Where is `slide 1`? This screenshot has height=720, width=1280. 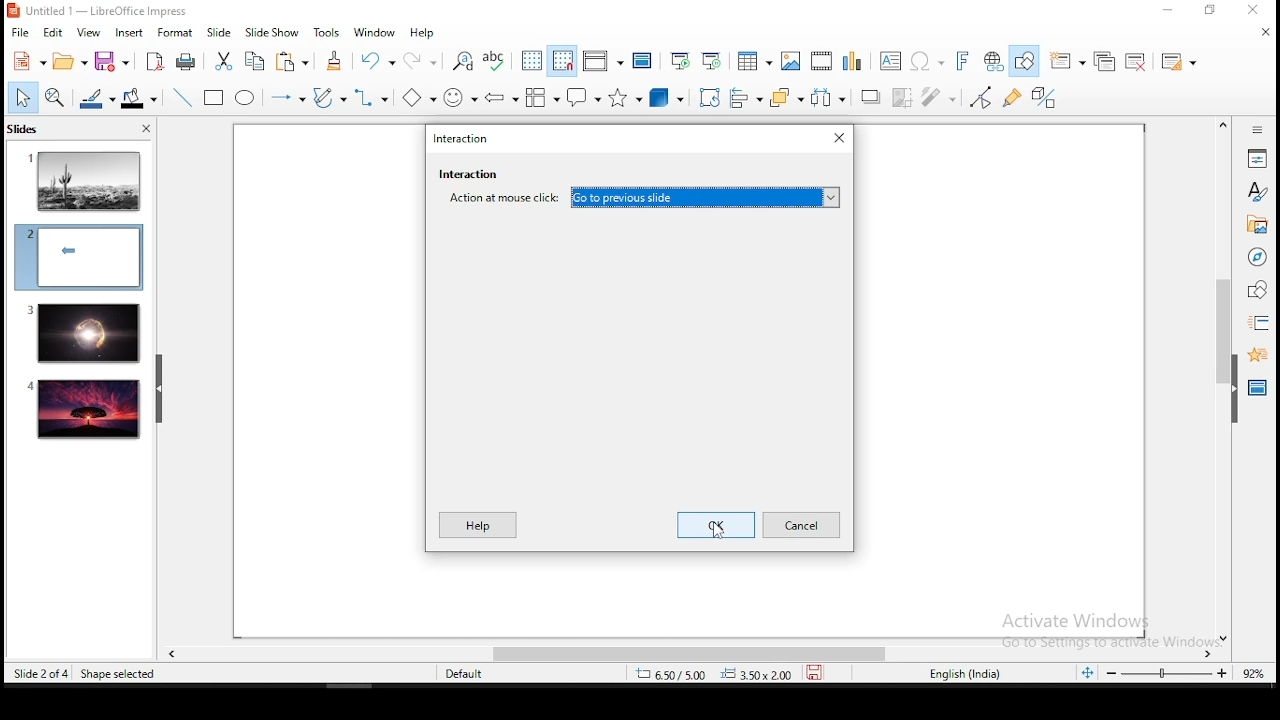
slide 1 is located at coordinates (85, 180).